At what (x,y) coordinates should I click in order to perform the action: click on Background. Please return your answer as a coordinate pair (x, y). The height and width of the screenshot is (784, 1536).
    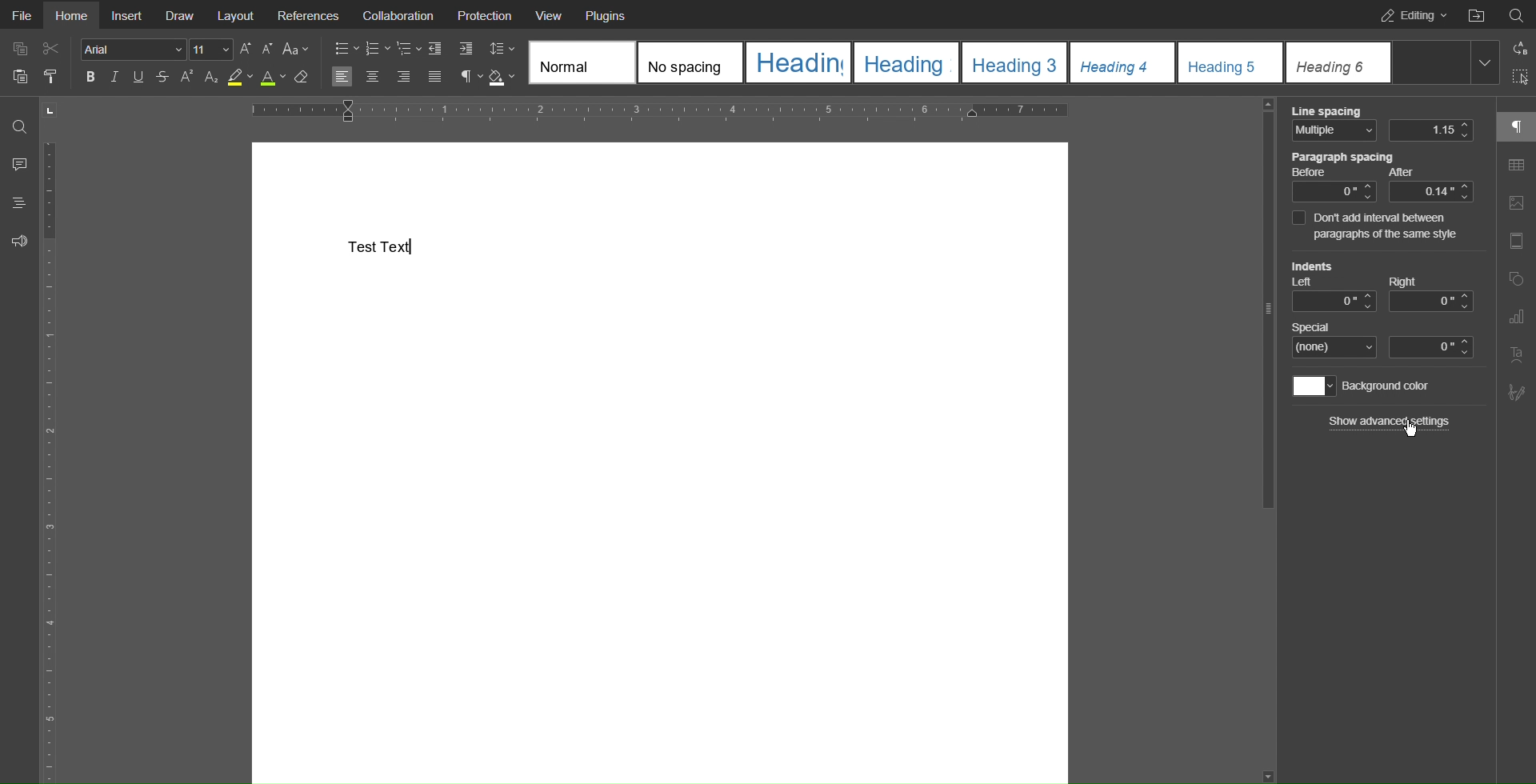
    Looking at the image, I should click on (1364, 386).